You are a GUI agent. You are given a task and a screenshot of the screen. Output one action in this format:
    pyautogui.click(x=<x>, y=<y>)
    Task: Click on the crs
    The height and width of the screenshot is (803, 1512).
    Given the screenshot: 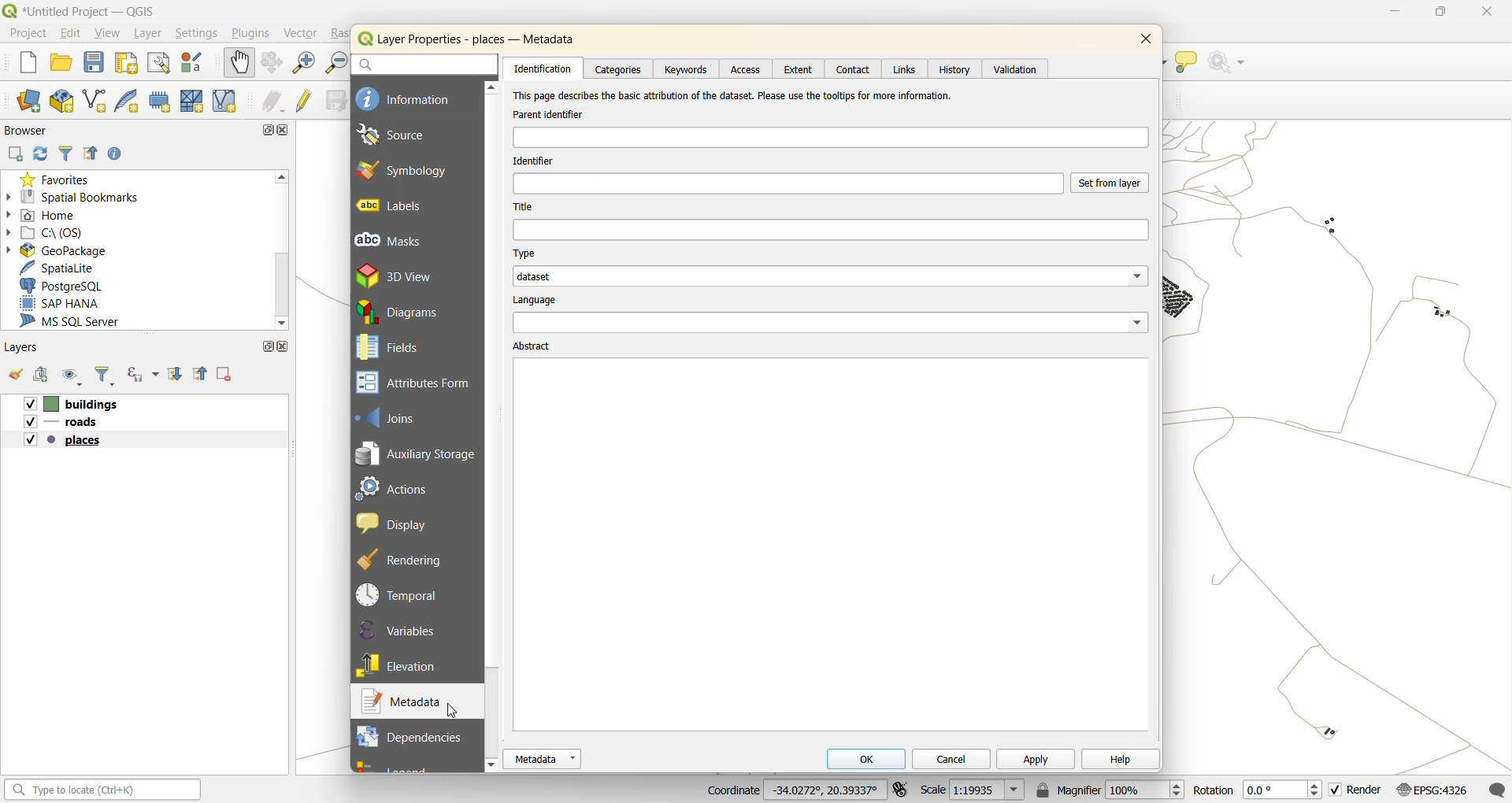 What is the action you would take?
    pyautogui.click(x=1430, y=790)
    